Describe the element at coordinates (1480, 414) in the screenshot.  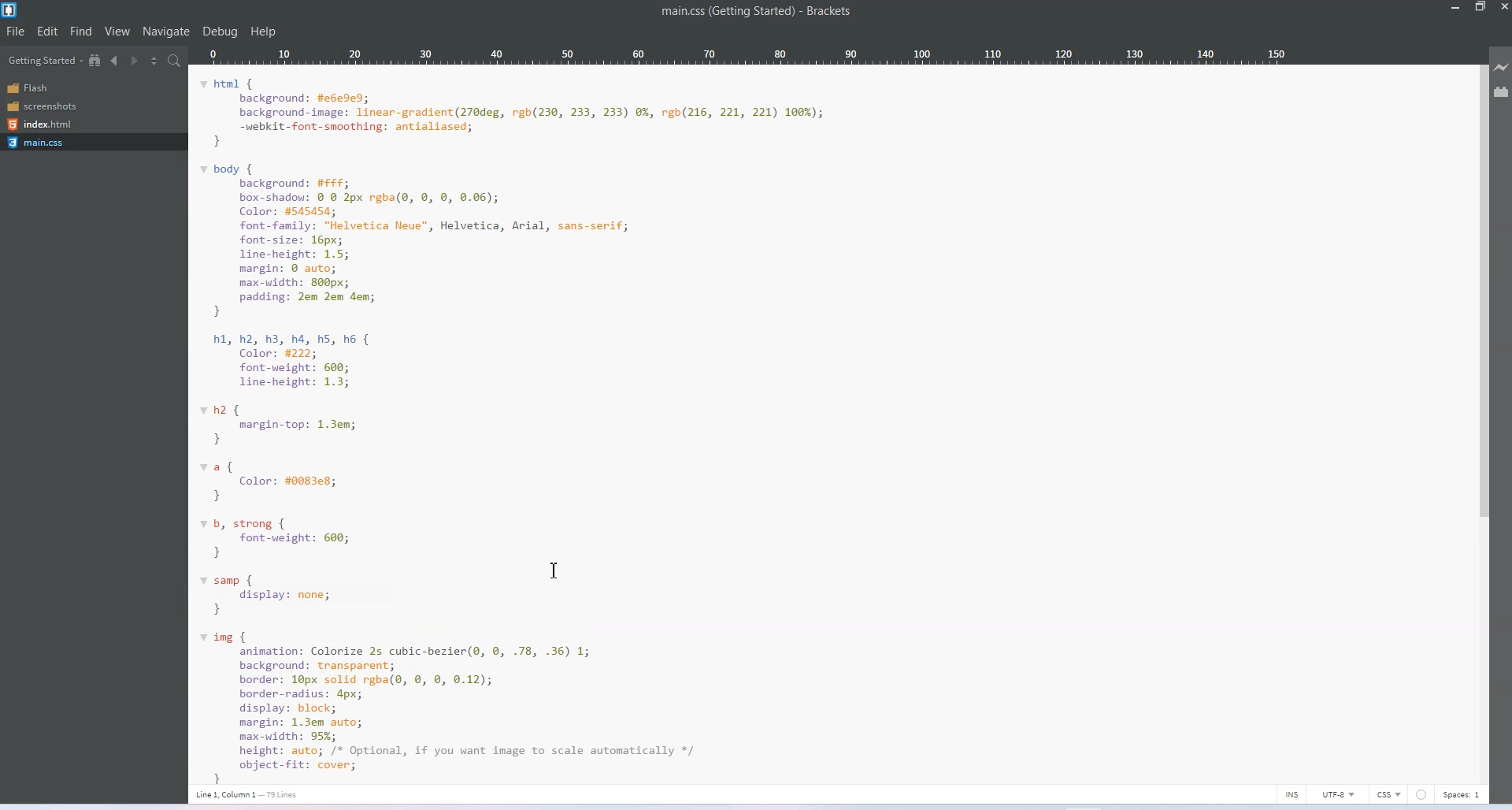
I see `Vertical Scrollbar` at that location.